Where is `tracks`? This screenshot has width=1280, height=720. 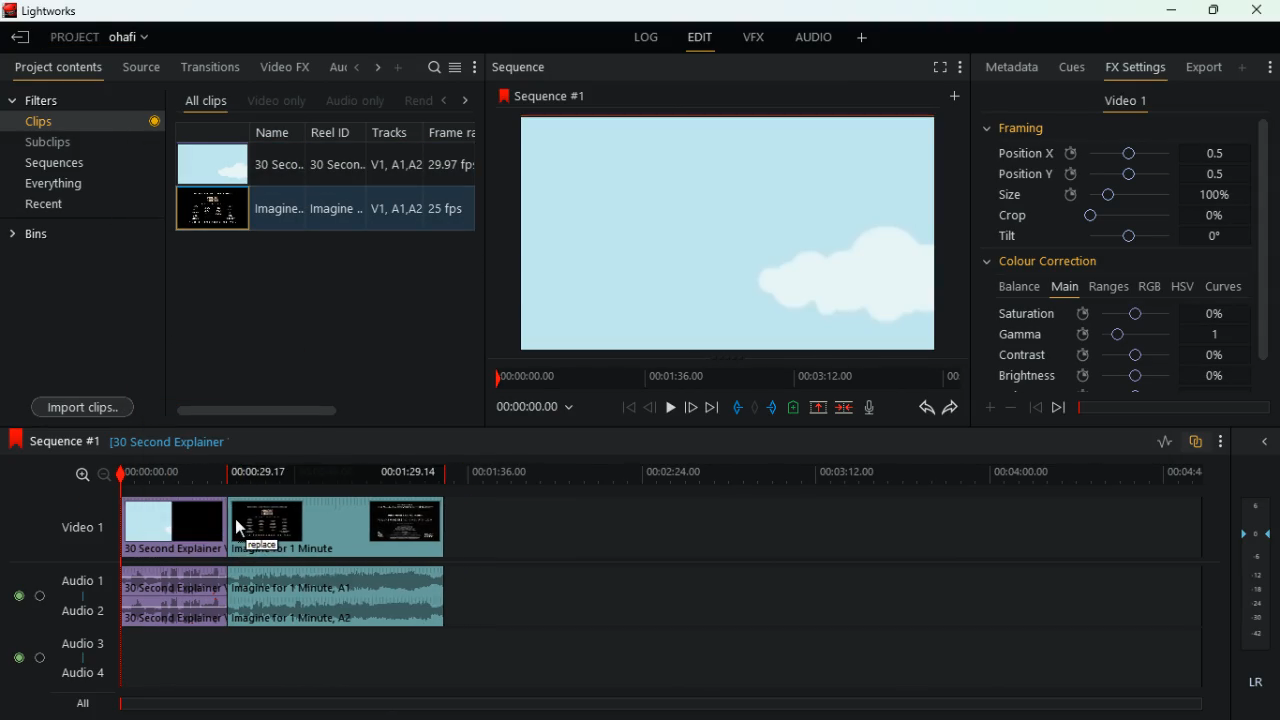 tracks is located at coordinates (396, 176).